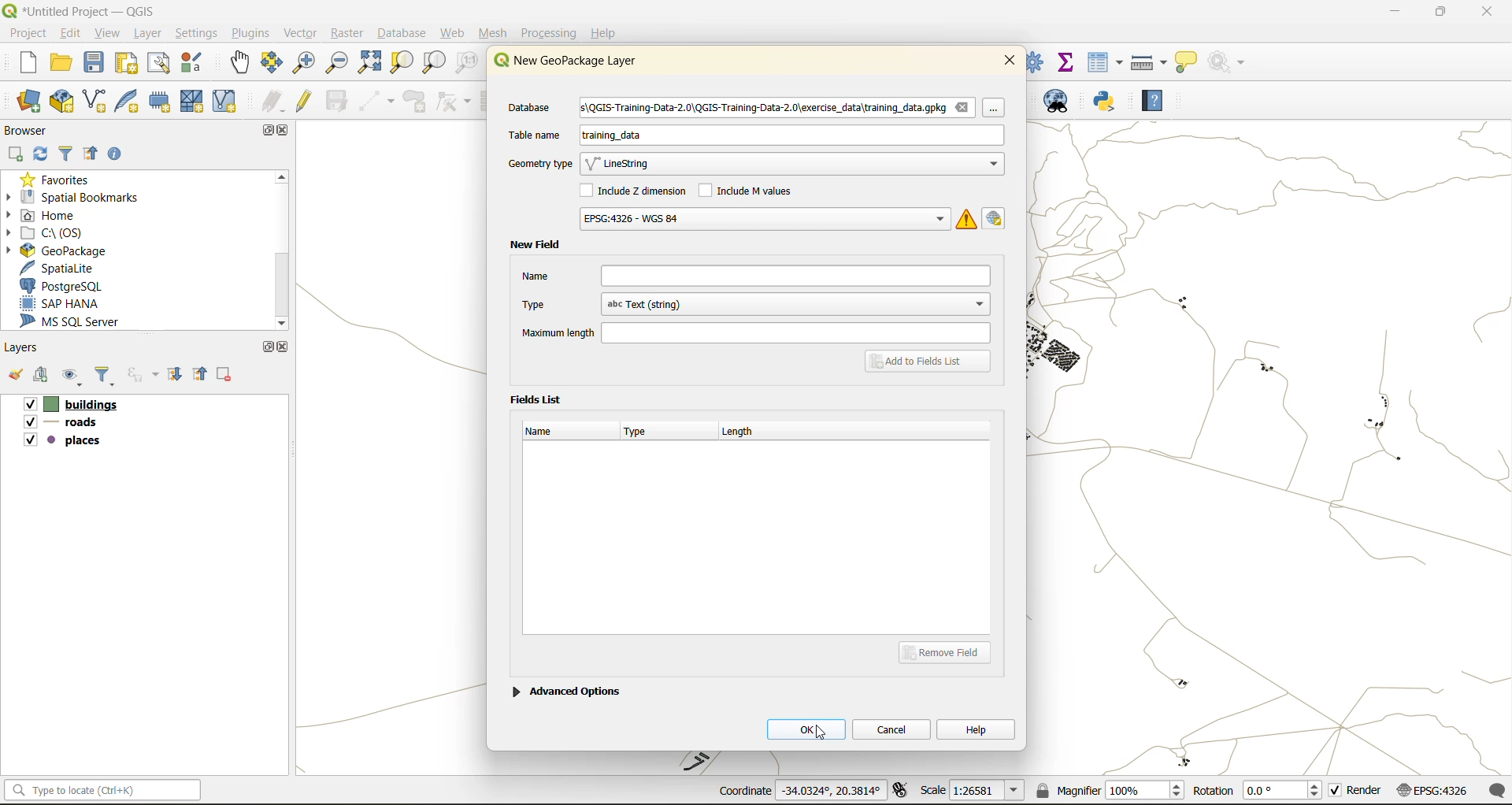 The width and height of the screenshot is (1512, 805). I want to click on add polygon, so click(417, 106).